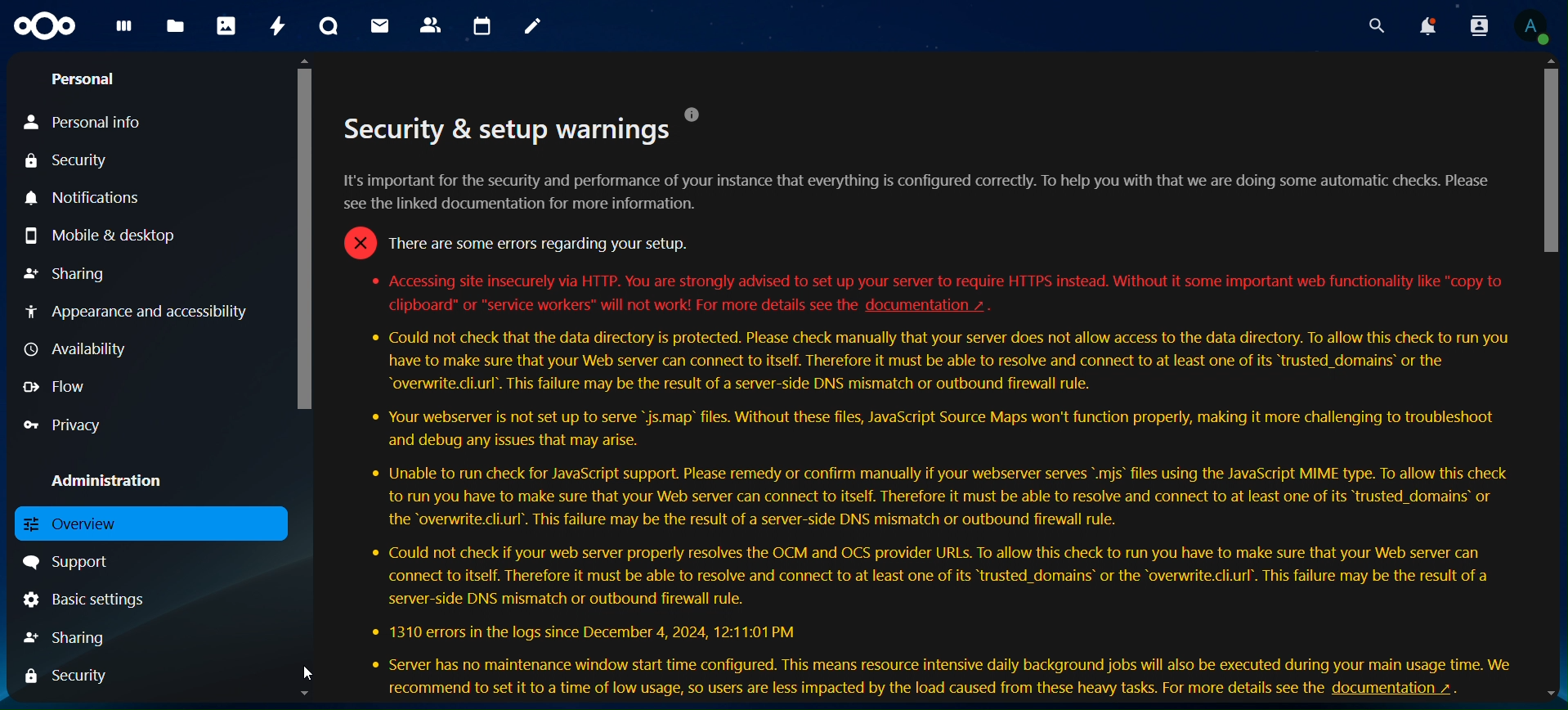 The height and width of the screenshot is (710, 1568). Describe the element at coordinates (1550, 379) in the screenshot. I see `scrollbar` at that location.